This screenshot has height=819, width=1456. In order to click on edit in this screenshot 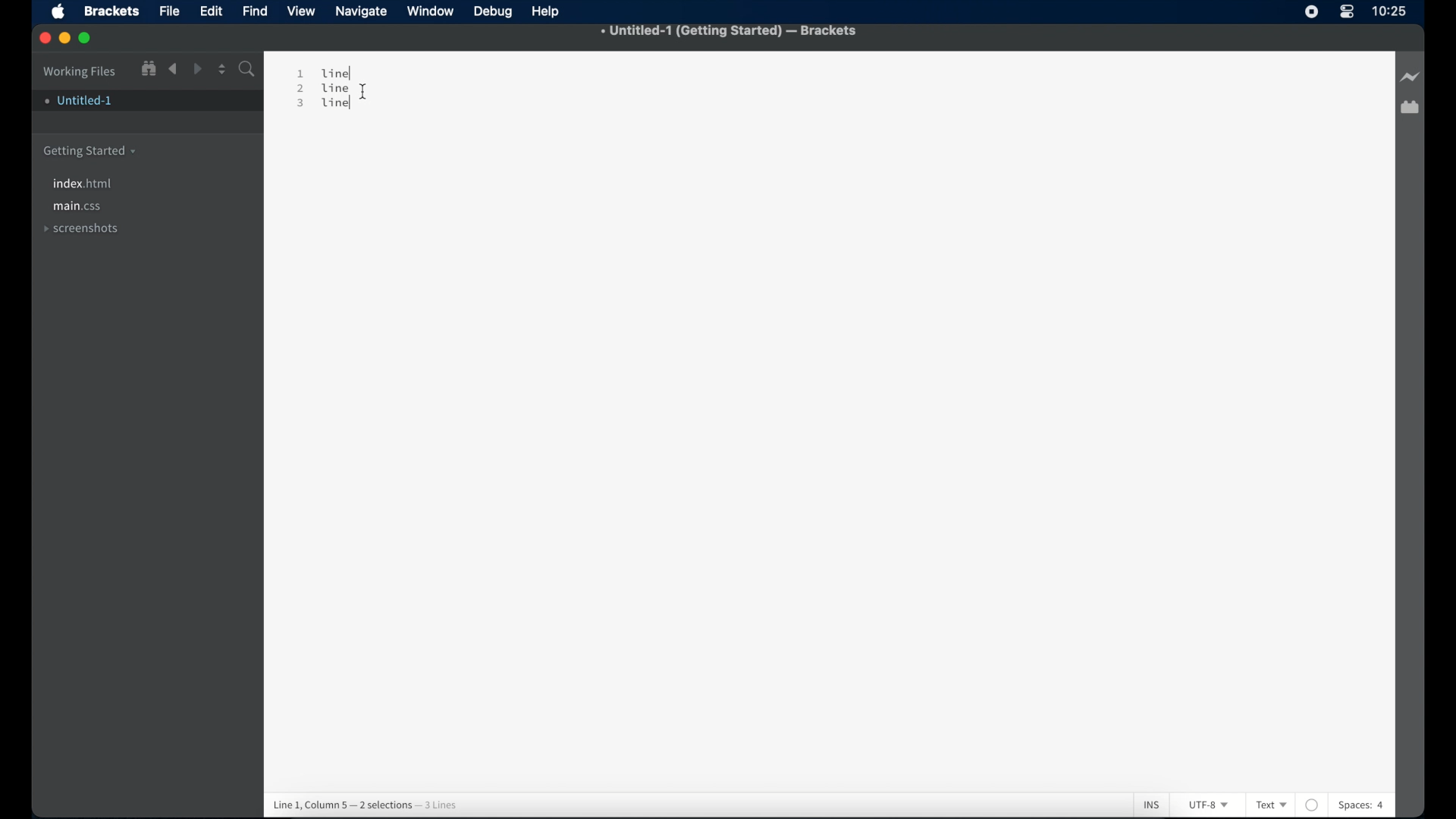, I will do `click(212, 11)`.